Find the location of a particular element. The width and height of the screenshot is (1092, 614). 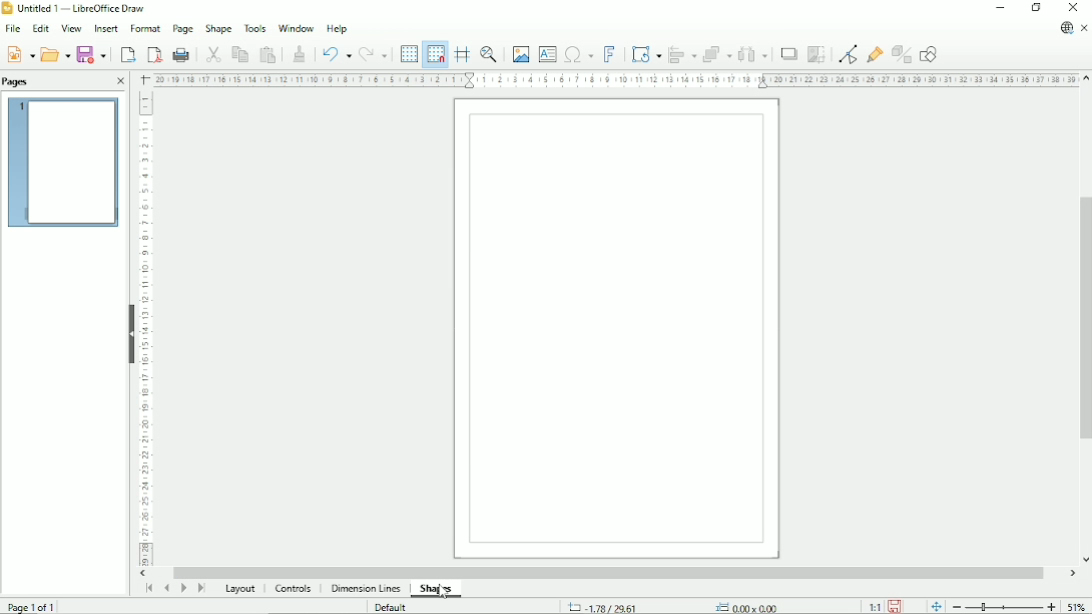

Transformation is located at coordinates (646, 53).